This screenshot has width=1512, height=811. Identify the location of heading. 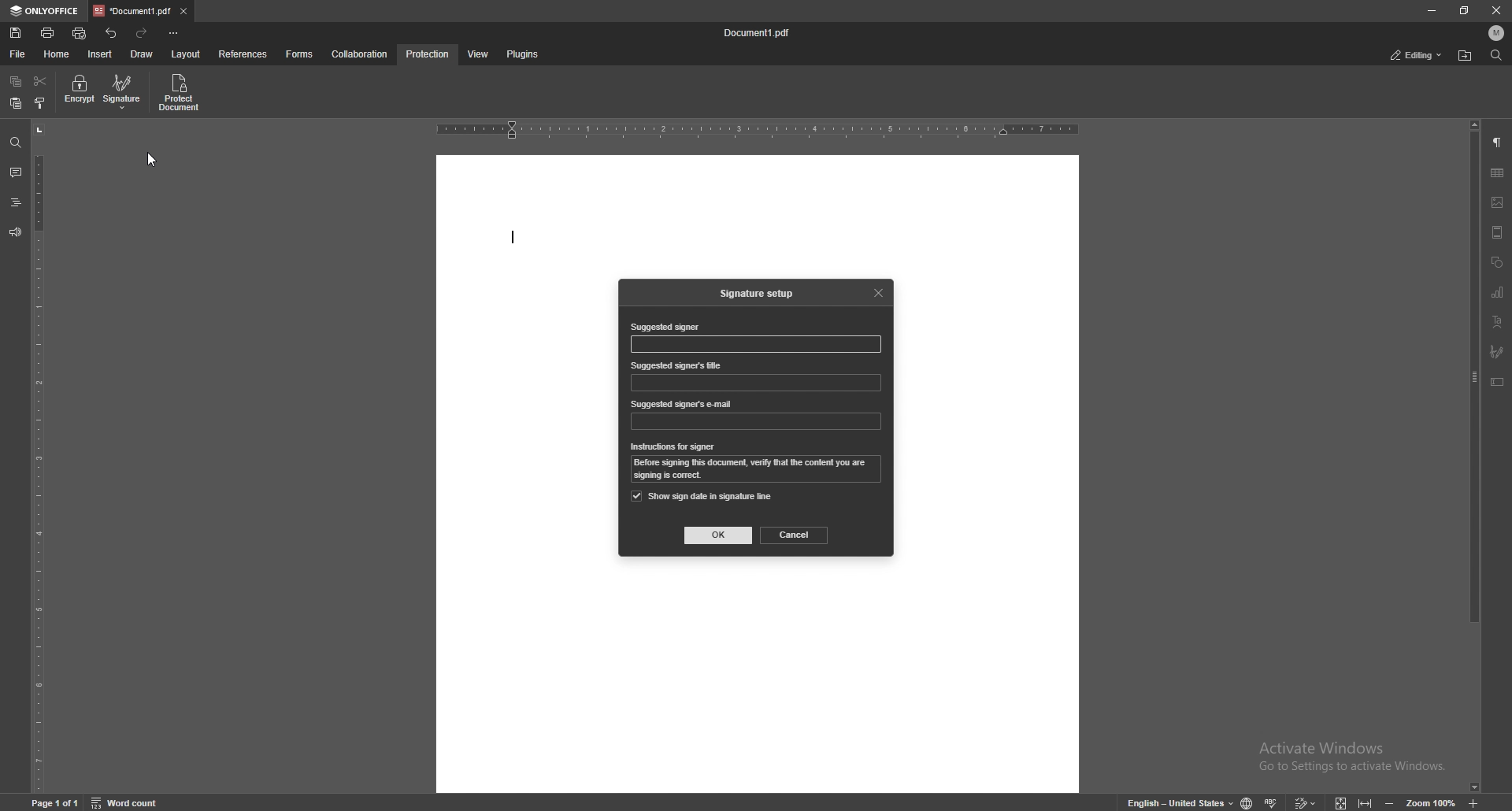
(15, 204).